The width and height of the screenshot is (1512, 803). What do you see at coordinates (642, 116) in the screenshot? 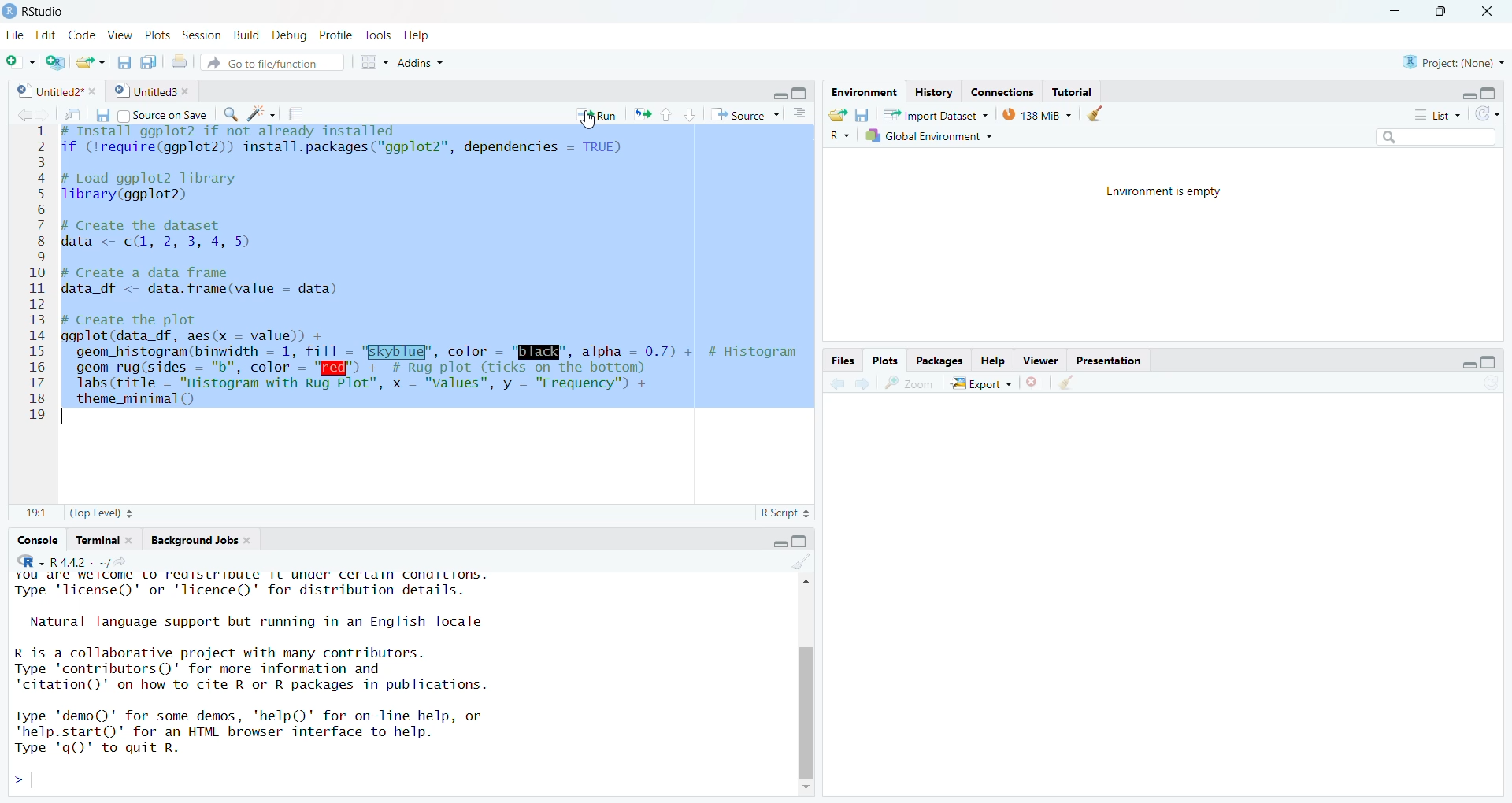
I see `rerun` at bounding box center [642, 116].